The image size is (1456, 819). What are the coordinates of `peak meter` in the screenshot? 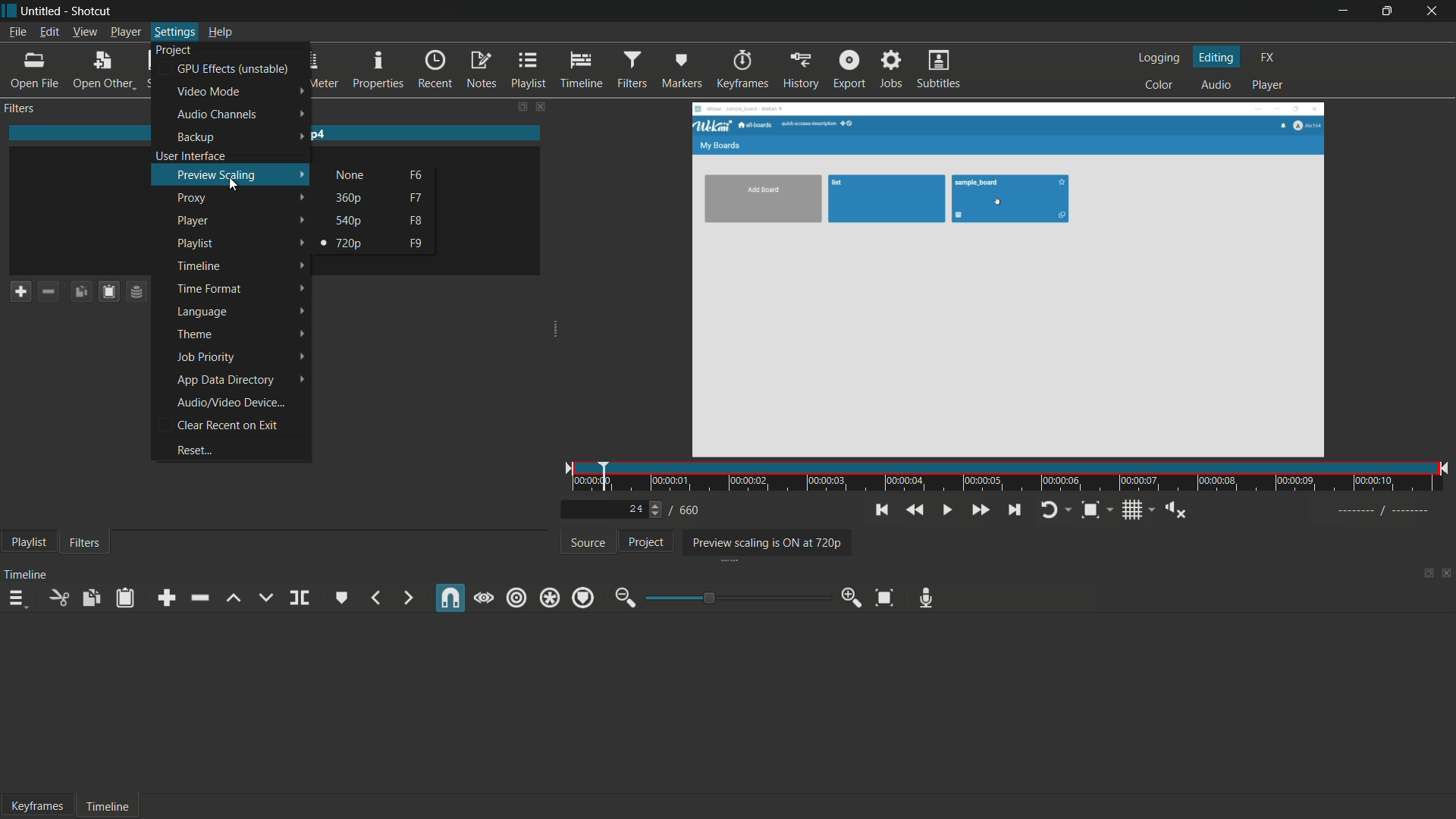 It's located at (322, 69).